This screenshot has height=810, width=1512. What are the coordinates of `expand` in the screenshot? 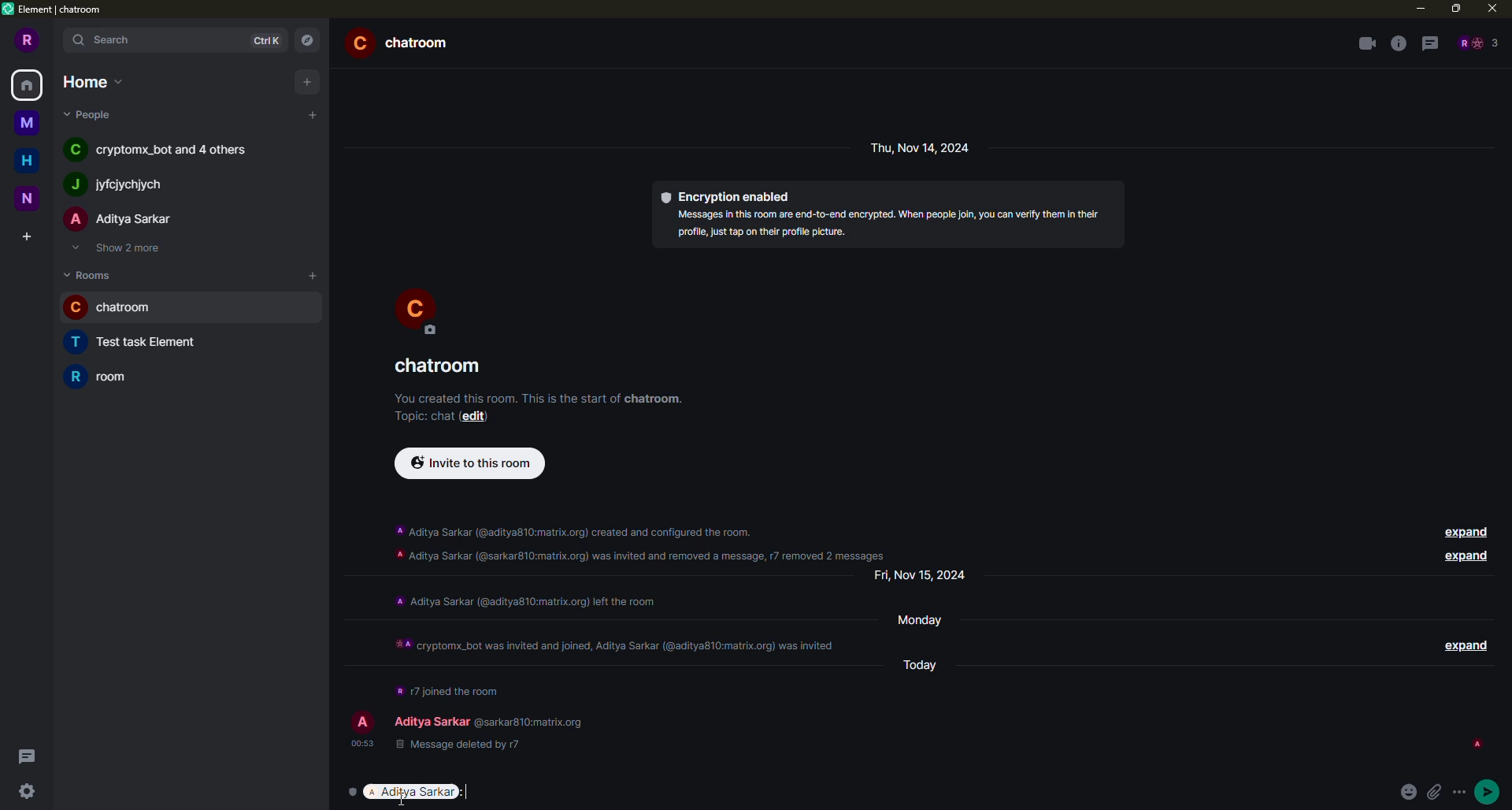 It's located at (1463, 643).